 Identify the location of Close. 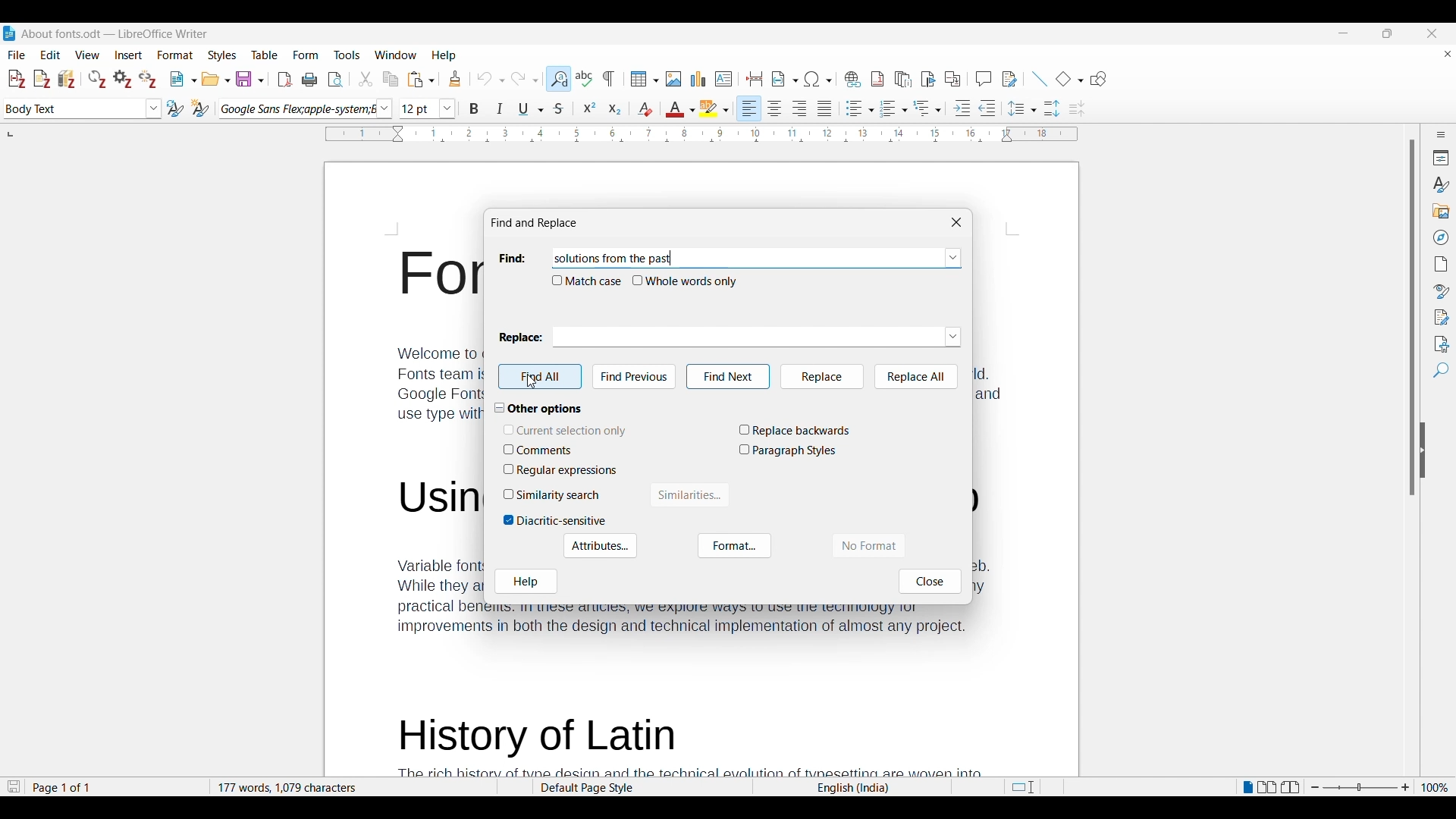
(931, 582).